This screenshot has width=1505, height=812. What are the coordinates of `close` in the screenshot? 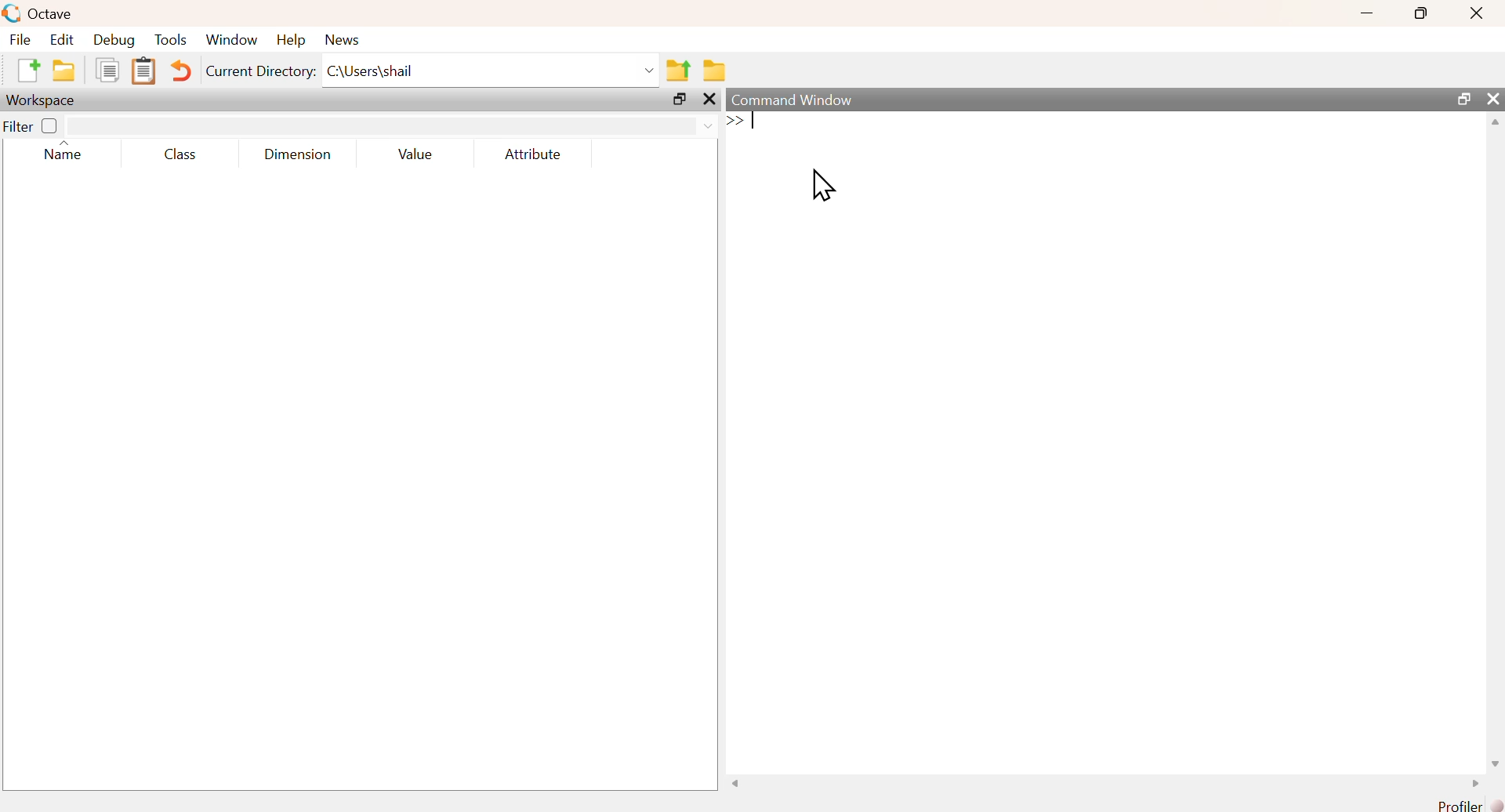 It's located at (1492, 97).